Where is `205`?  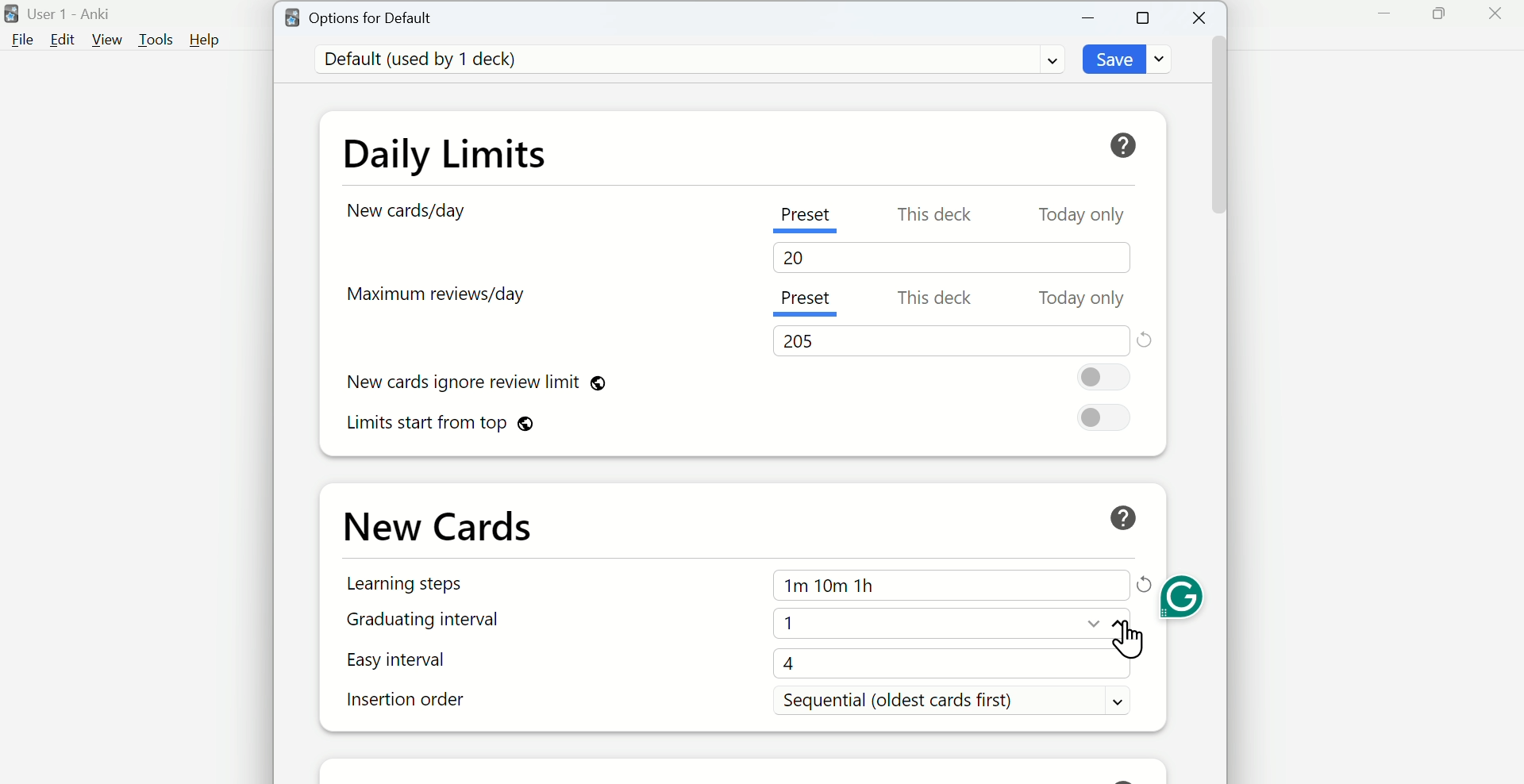 205 is located at coordinates (810, 340).